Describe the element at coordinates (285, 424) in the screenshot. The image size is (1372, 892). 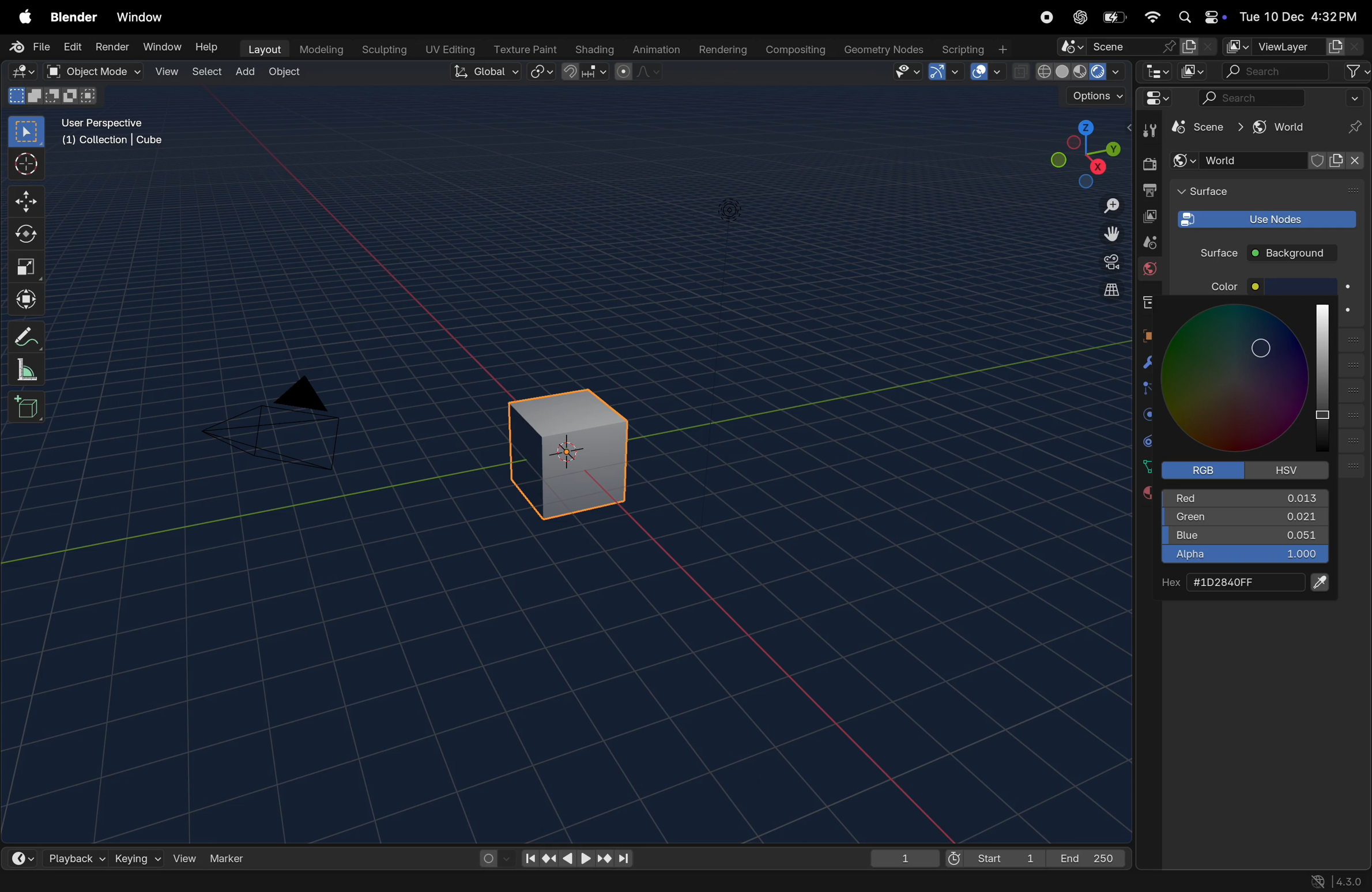
I see `camera` at that location.